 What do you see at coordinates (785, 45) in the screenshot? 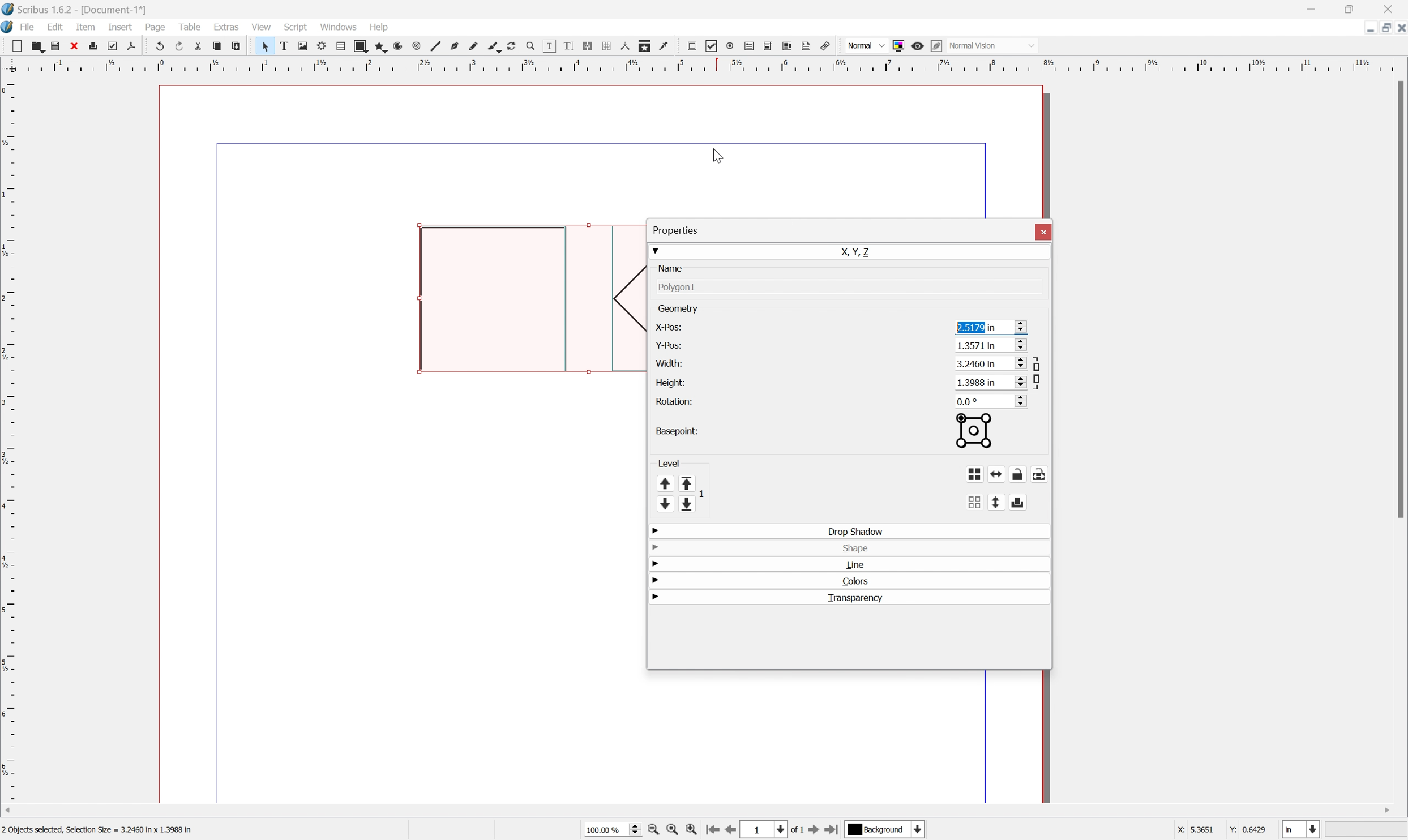
I see `PDF list box` at bounding box center [785, 45].